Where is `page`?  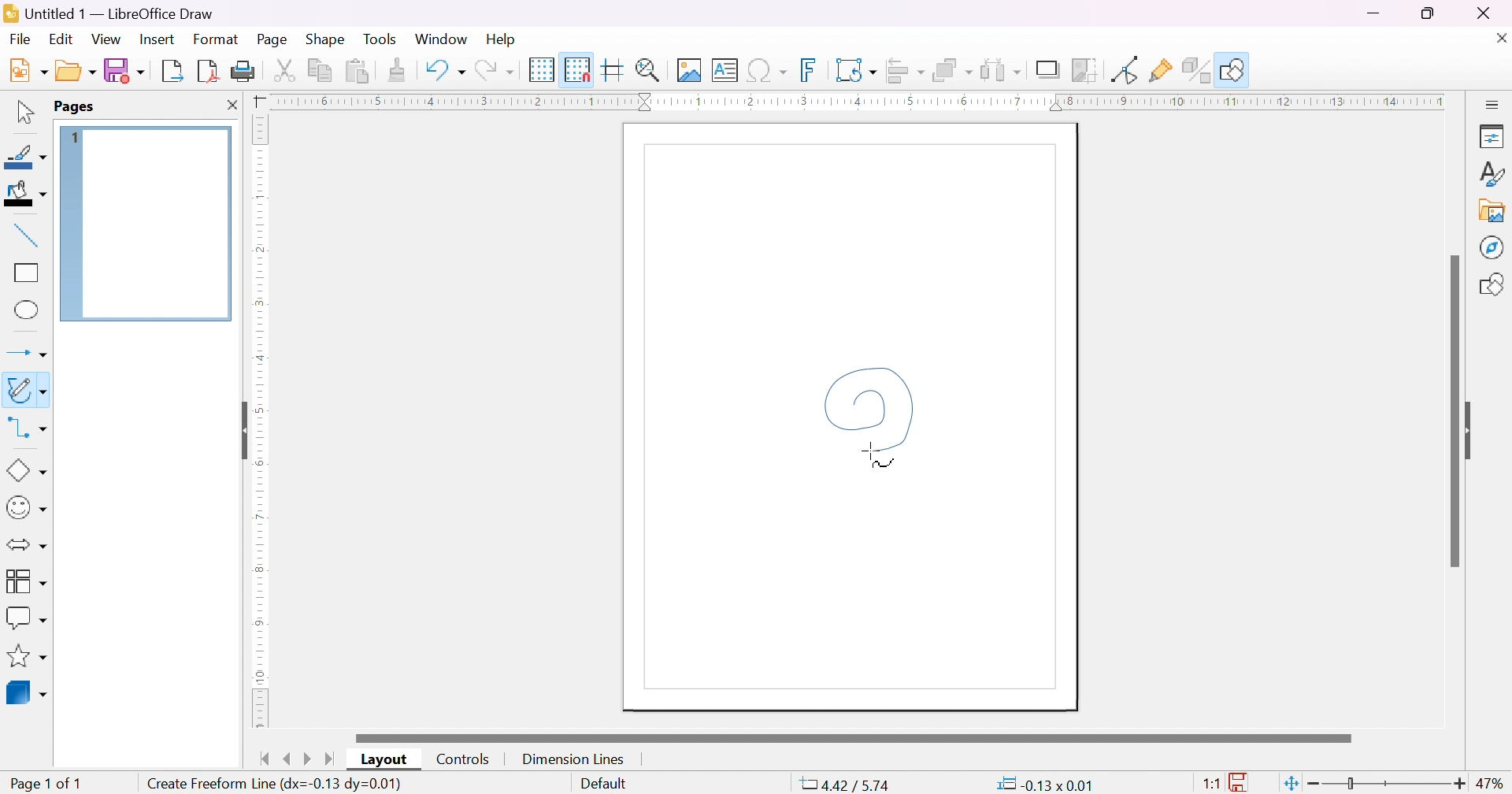
page is located at coordinates (275, 38).